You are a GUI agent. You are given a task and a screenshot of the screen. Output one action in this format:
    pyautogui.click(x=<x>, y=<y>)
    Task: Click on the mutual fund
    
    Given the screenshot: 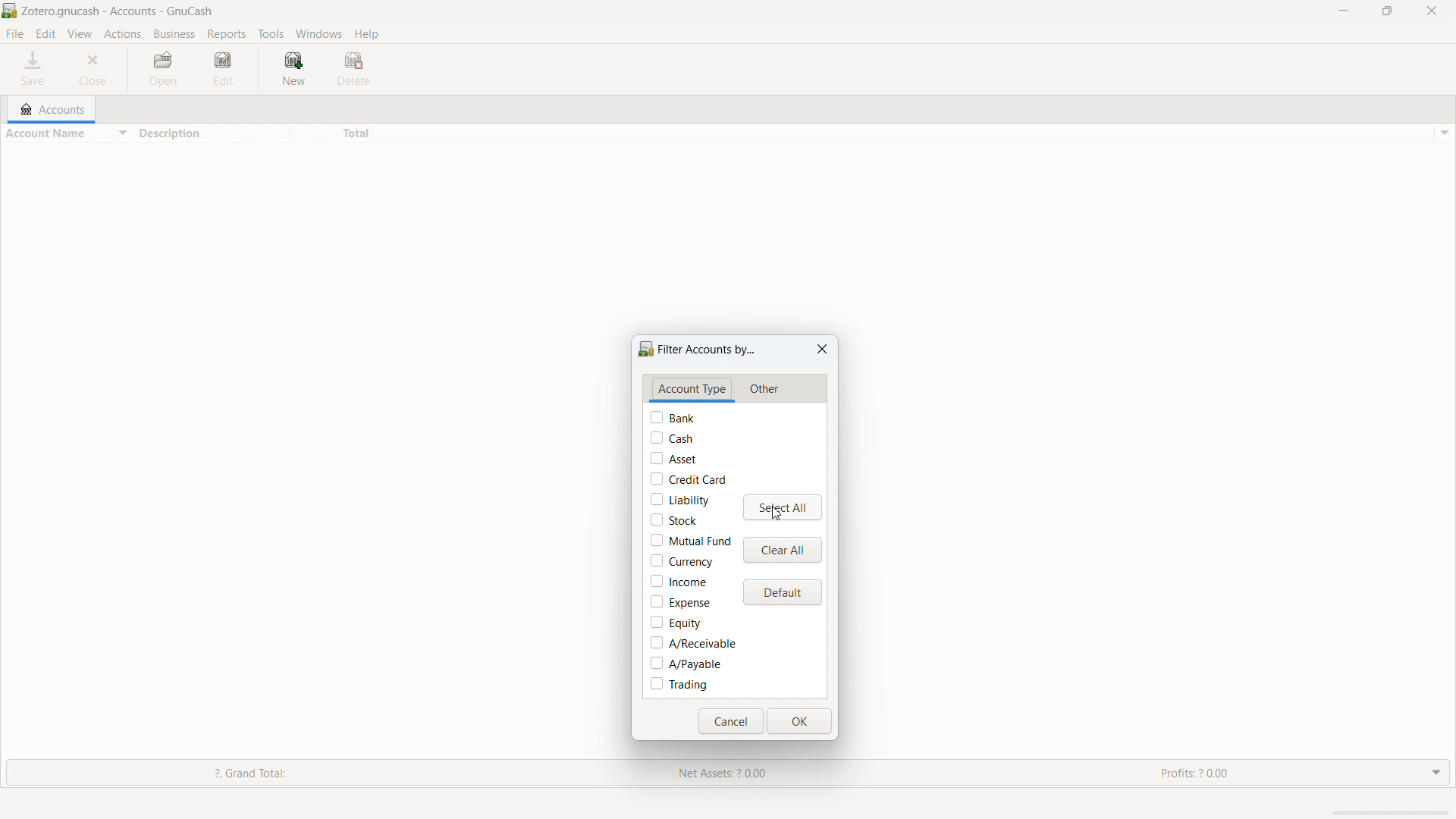 What is the action you would take?
    pyautogui.click(x=690, y=540)
    